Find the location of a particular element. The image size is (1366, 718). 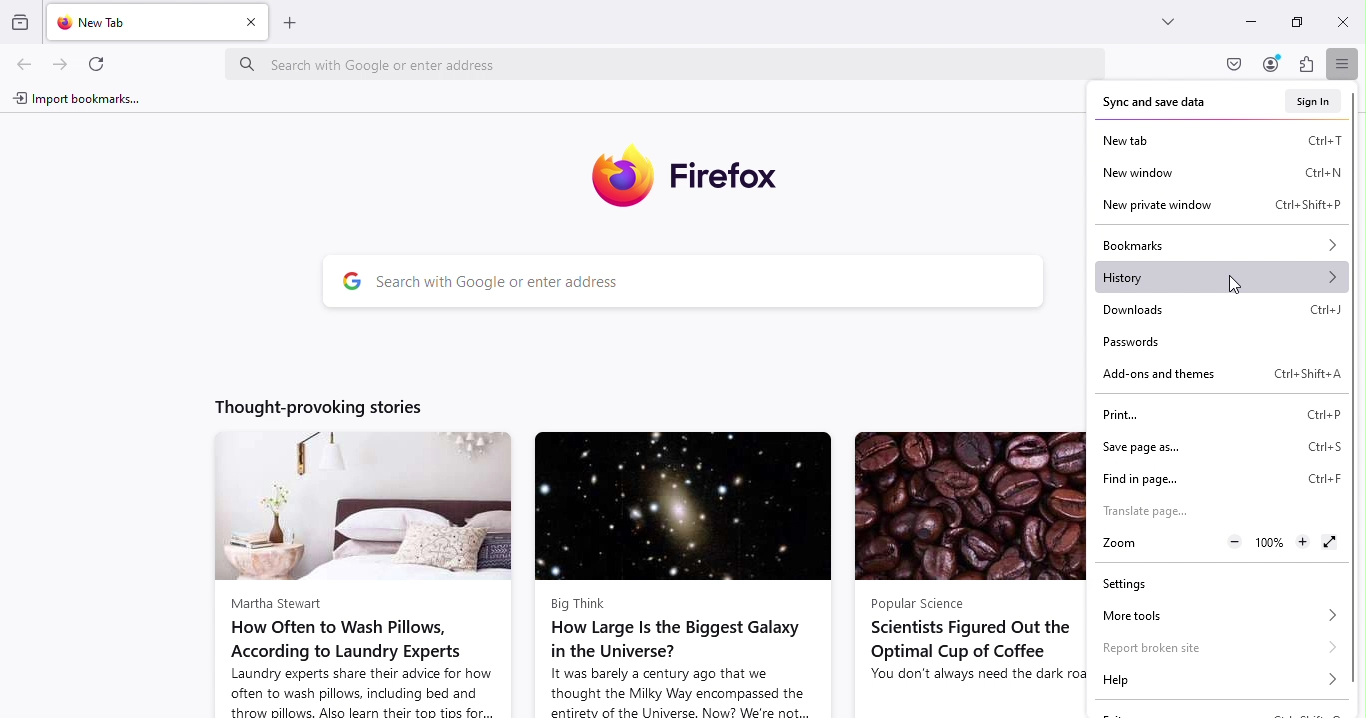

Reset zoom level is located at coordinates (1268, 545).